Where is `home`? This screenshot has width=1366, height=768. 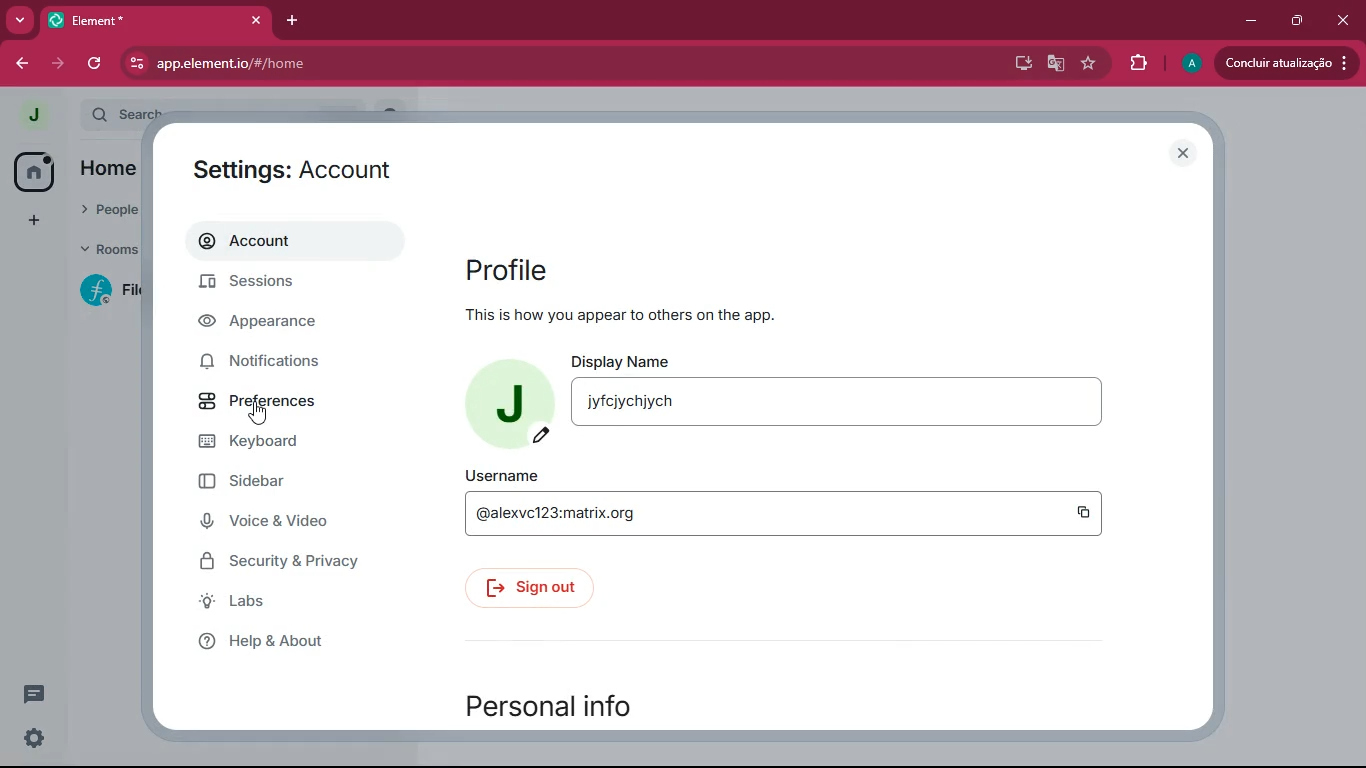 home is located at coordinates (34, 171).